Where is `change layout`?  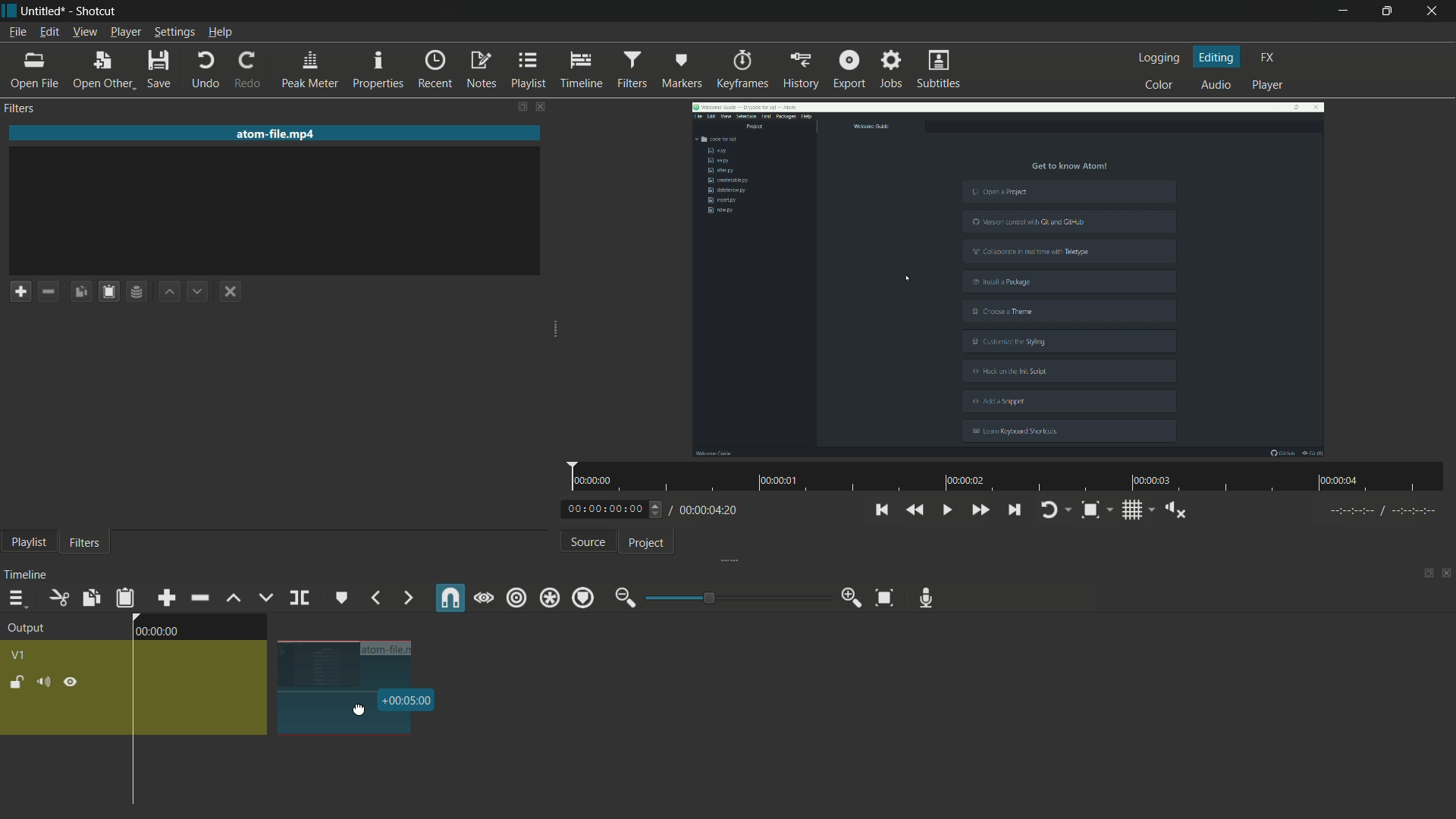 change layout is located at coordinates (1422, 577).